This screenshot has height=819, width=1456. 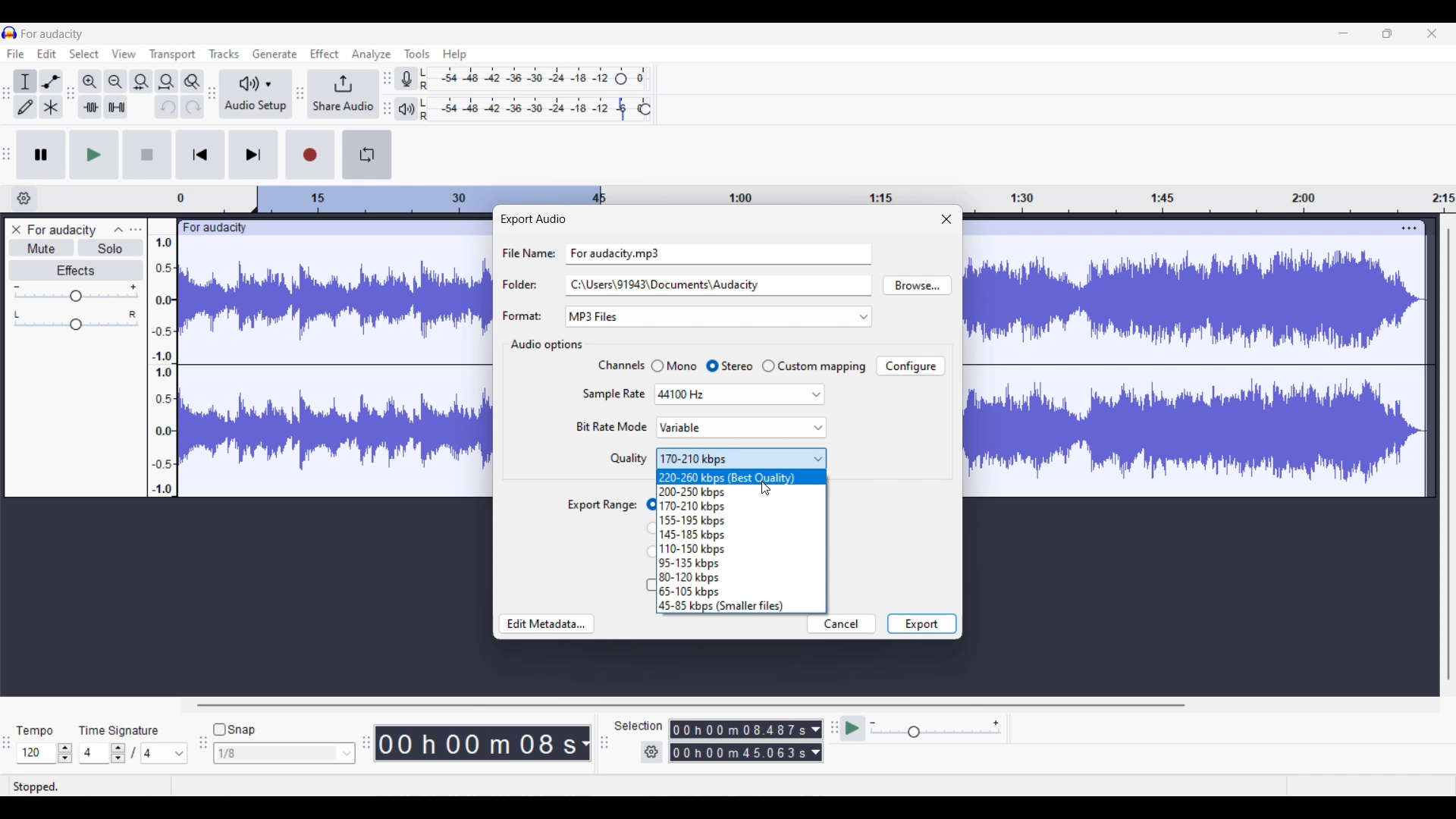 What do you see at coordinates (936, 728) in the screenshot?
I see `Playback speed scale` at bounding box center [936, 728].